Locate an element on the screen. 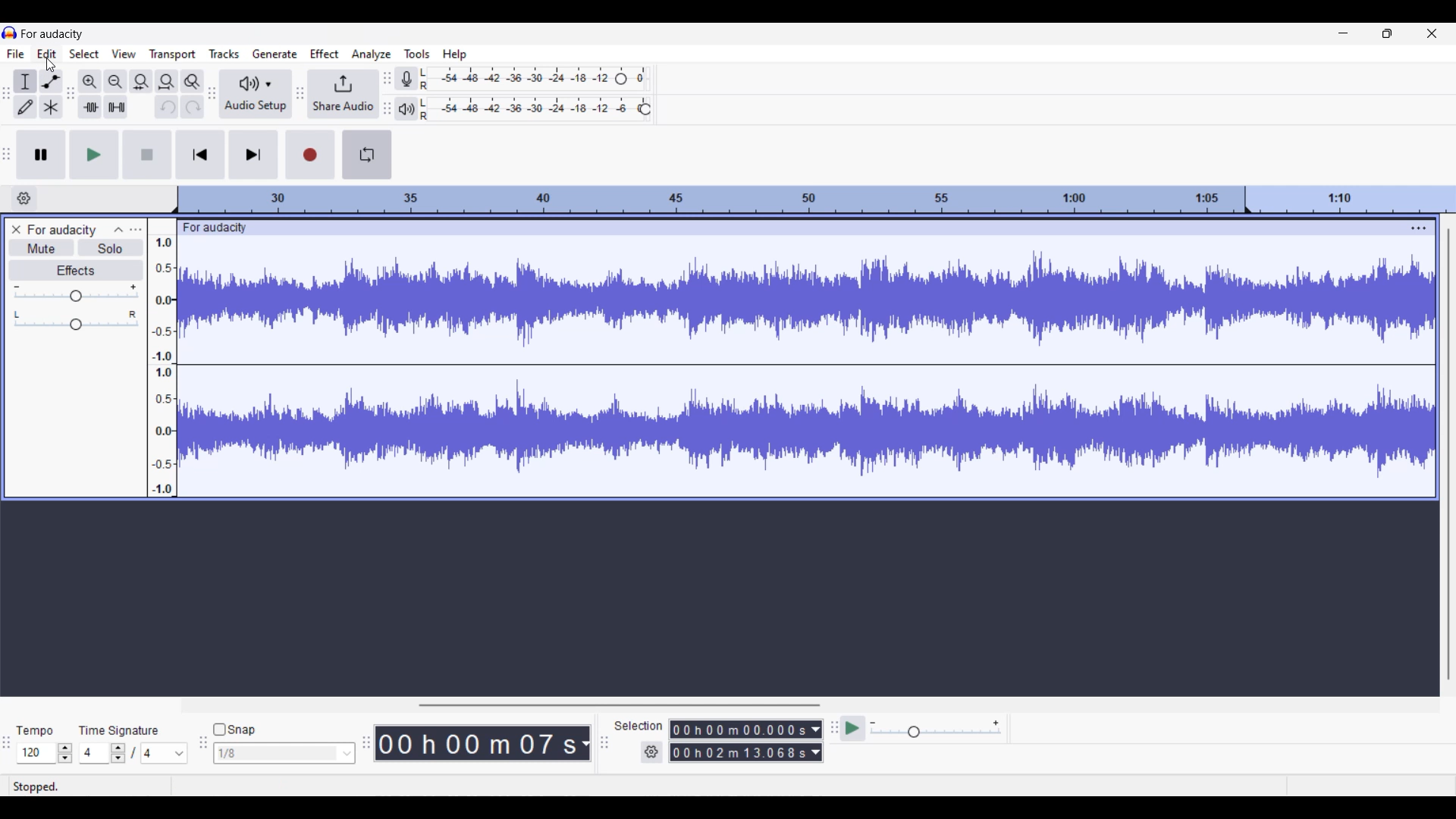  00 h 00 m 07 s is located at coordinates (476, 743).